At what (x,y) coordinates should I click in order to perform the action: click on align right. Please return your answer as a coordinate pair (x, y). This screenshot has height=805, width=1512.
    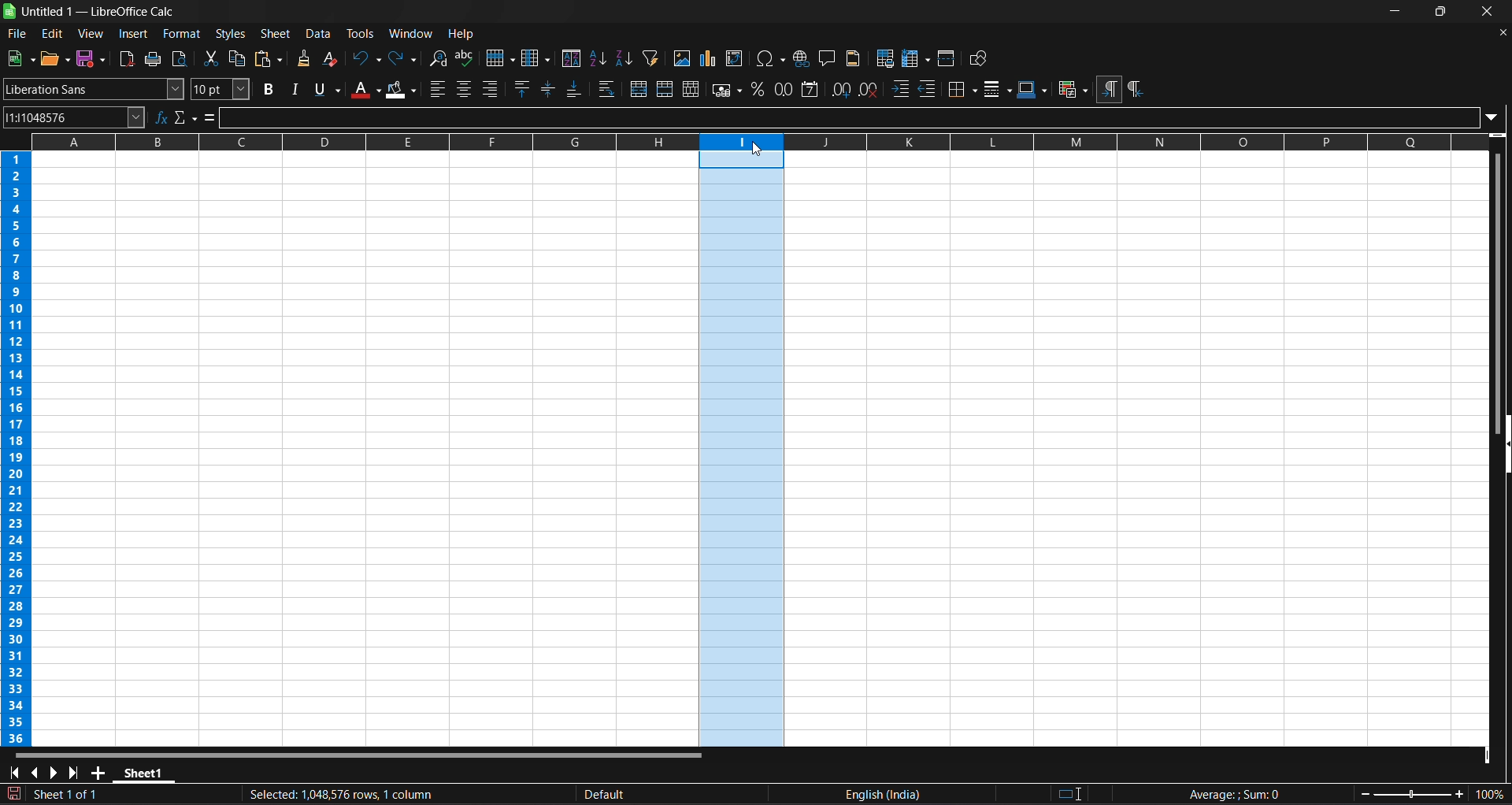
    Looking at the image, I should click on (493, 88).